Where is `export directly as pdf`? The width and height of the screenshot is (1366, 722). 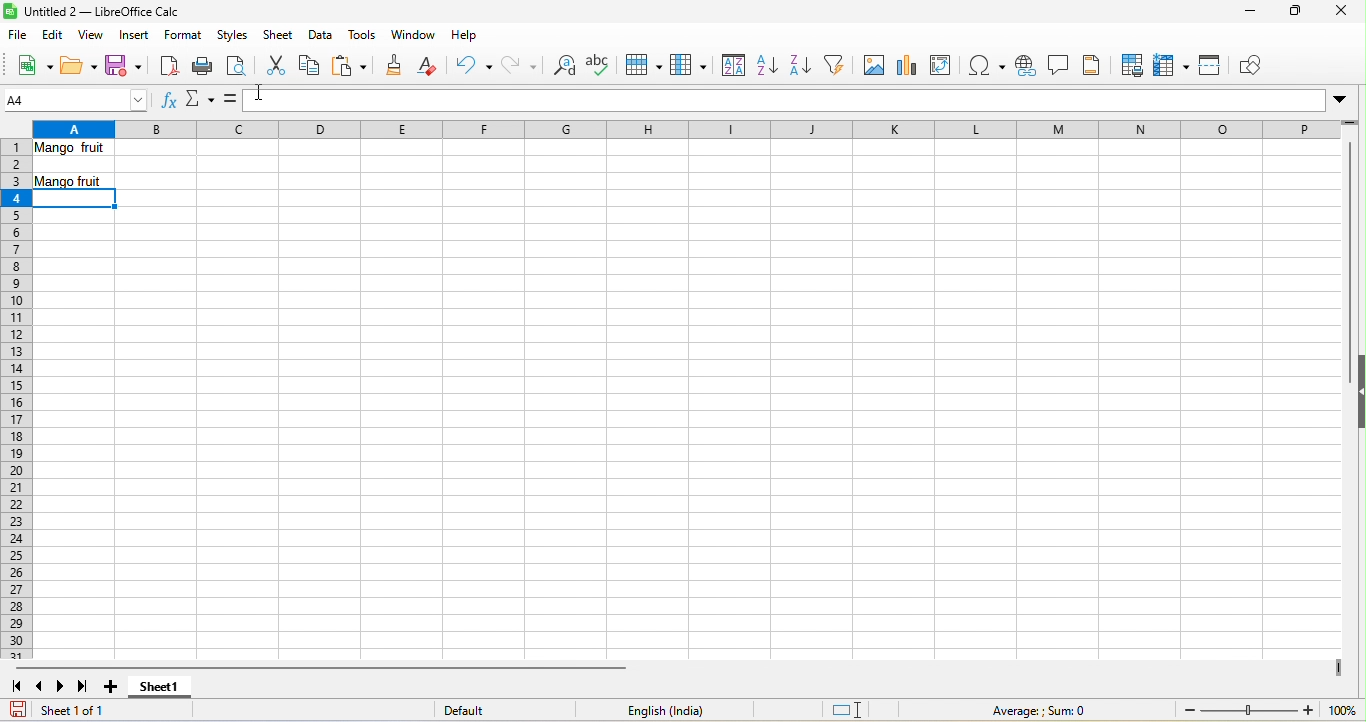
export directly as pdf is located at coordinates (168, 64).